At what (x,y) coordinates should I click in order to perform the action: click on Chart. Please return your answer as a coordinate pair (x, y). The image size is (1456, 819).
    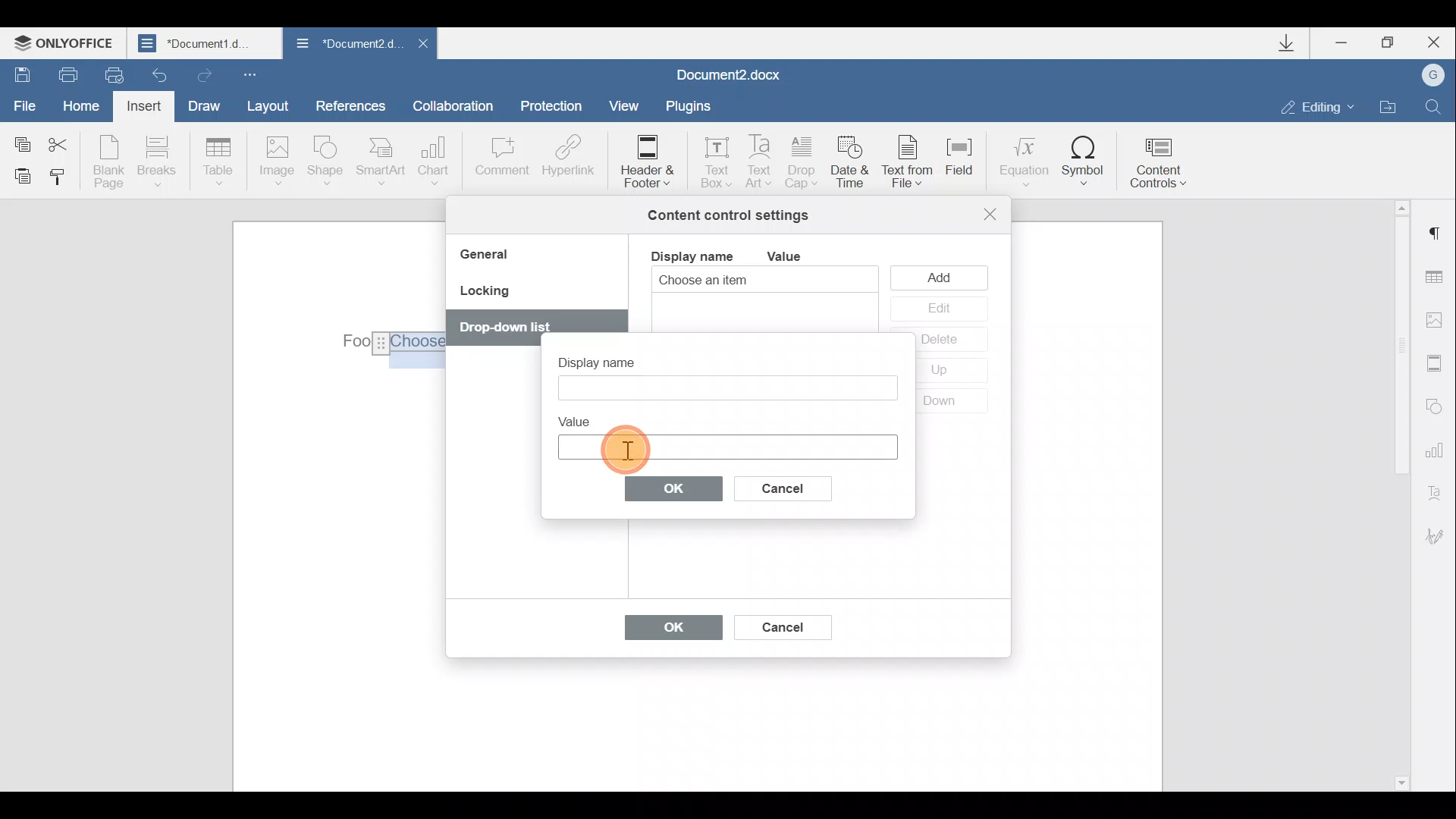
    Looking at the image, I should click on (437, 161).